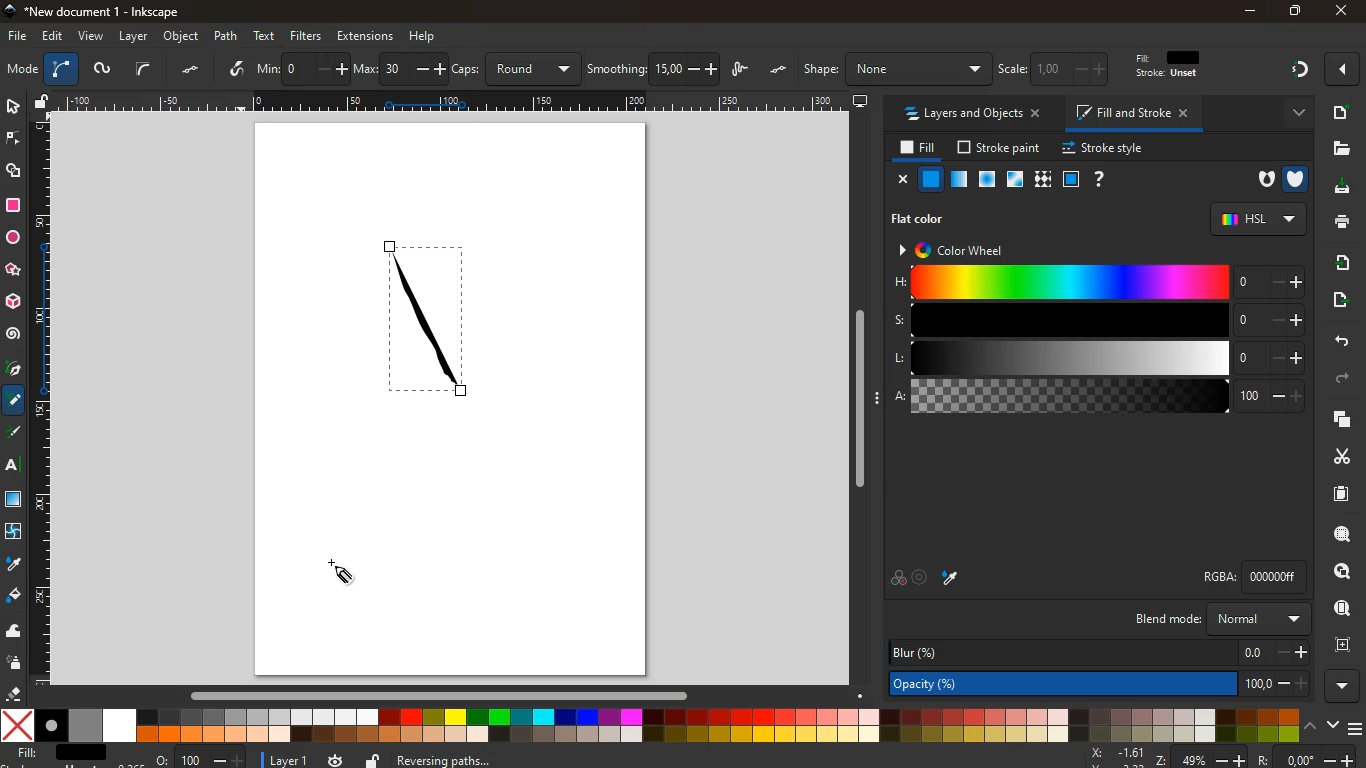  Describe the element at coordinates (183, 36) in the screenshot. I see `object` at that location.